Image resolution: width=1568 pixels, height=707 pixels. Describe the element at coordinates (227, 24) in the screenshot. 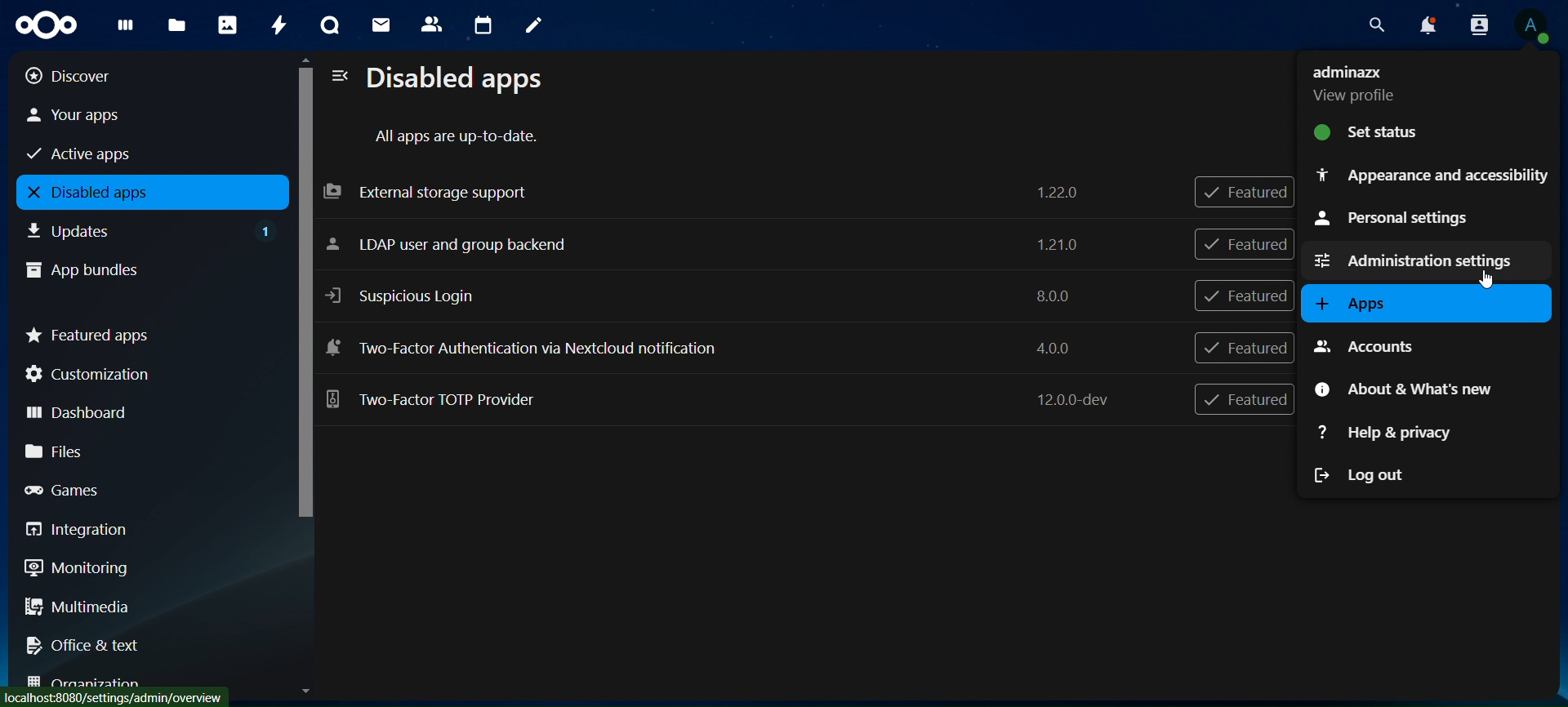

I see `photos` at that location.